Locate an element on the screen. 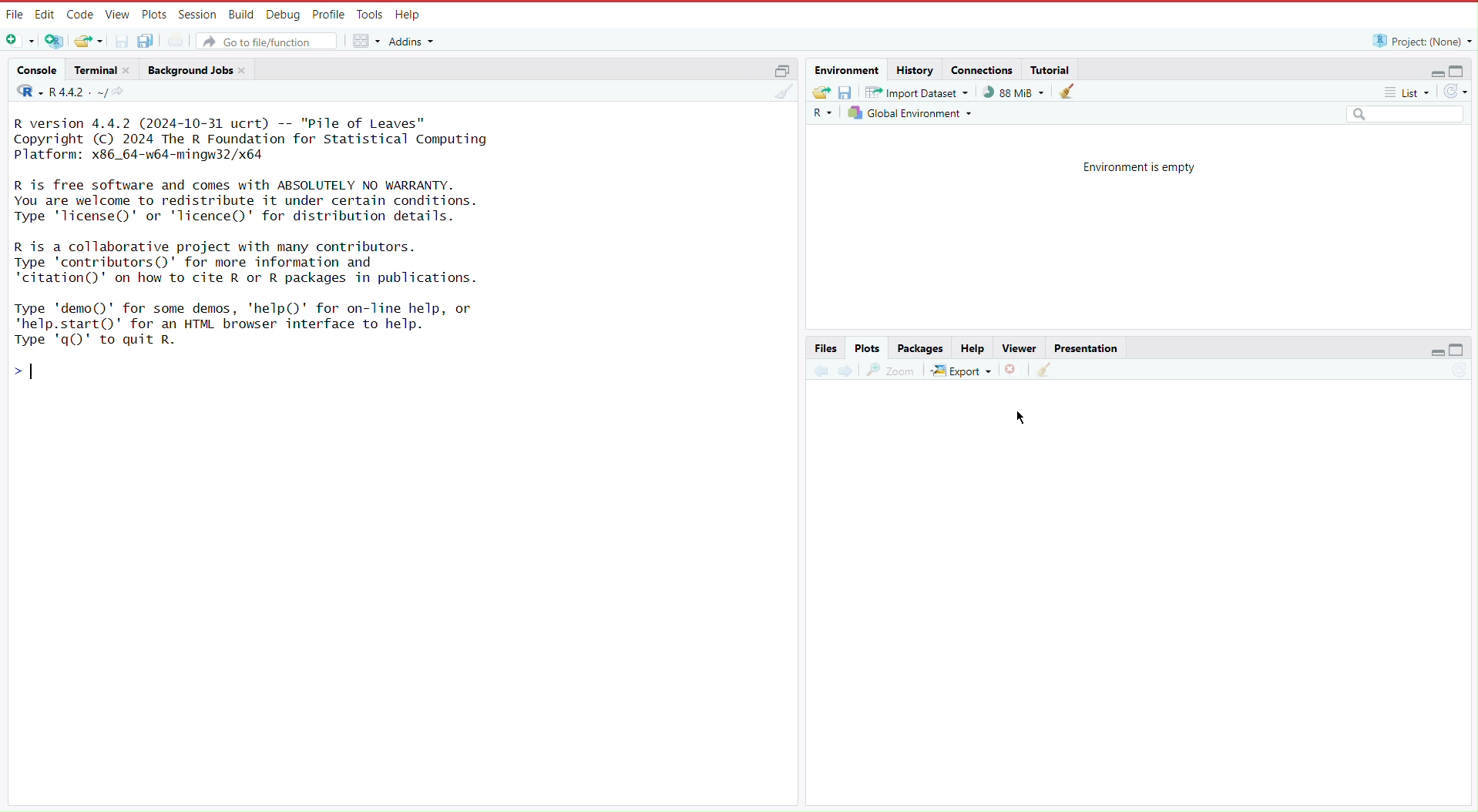 This screenshot has height=812, width=1478. Plots is located at coordinates (153, 14).